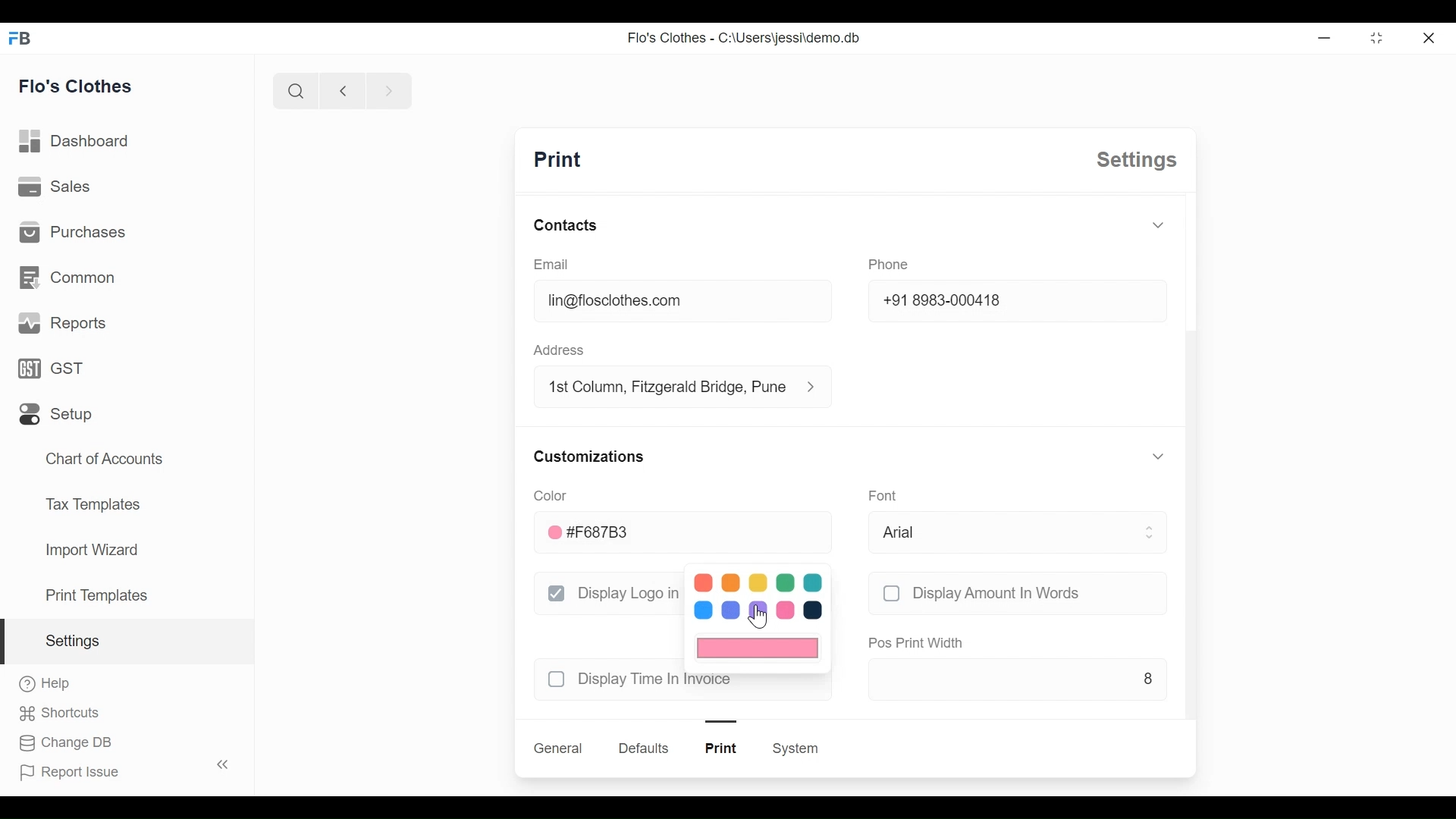  I want to click on customizations, so click(589, 457).